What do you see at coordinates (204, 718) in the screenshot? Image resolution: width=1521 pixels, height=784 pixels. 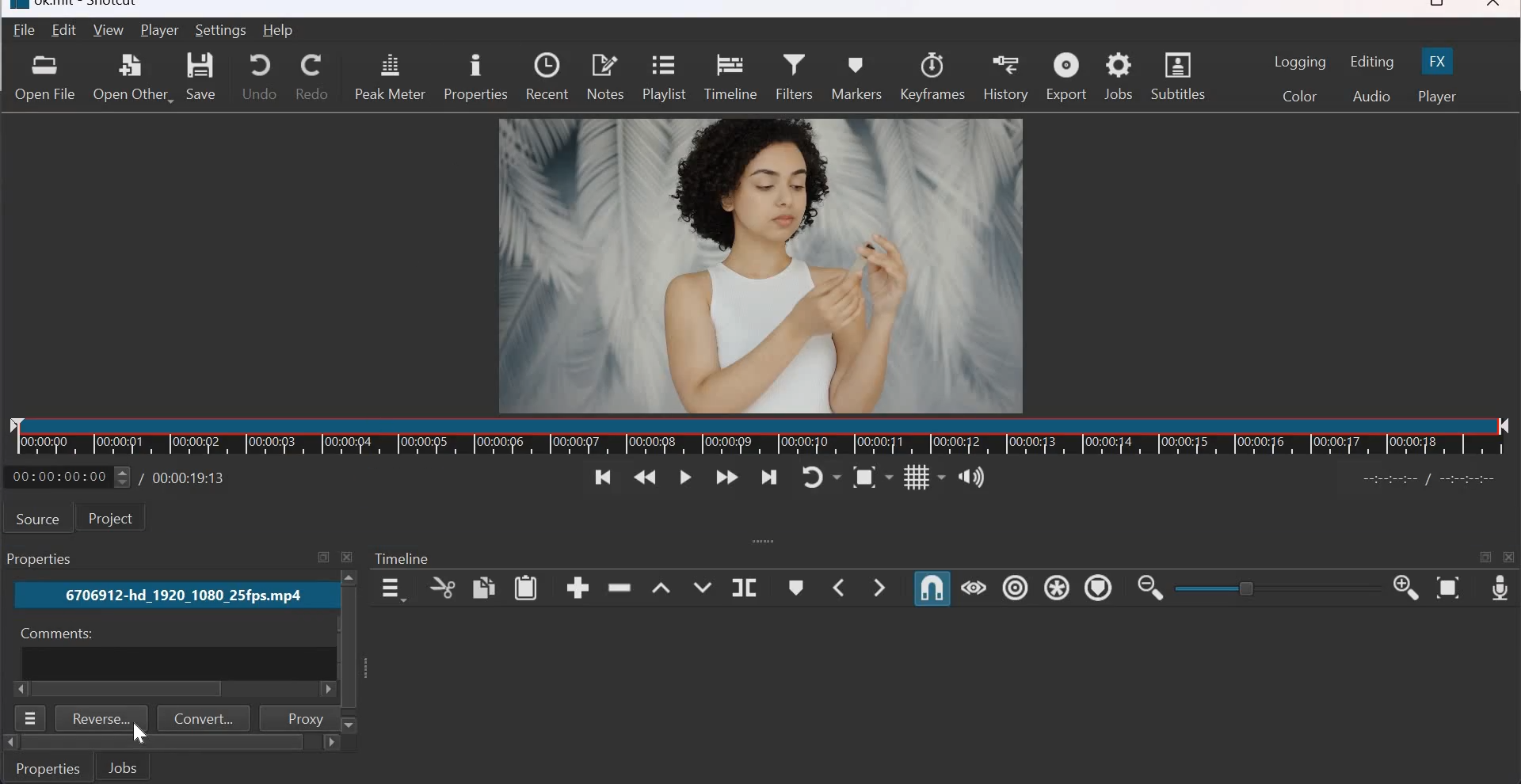 I see `convert` at bounding box center [204, 718].